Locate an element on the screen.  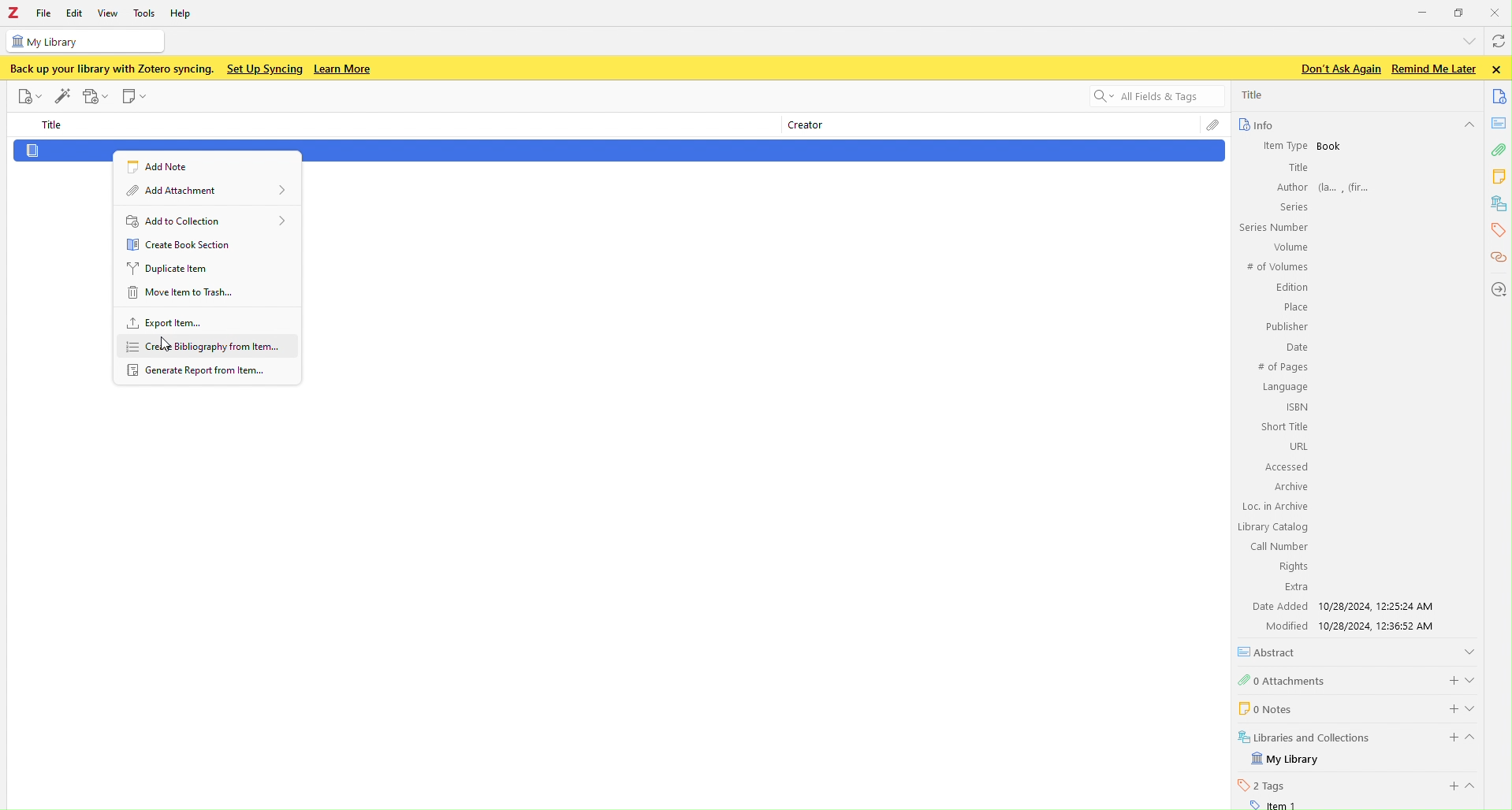
Add attachment is located at coordinates (207, 192).